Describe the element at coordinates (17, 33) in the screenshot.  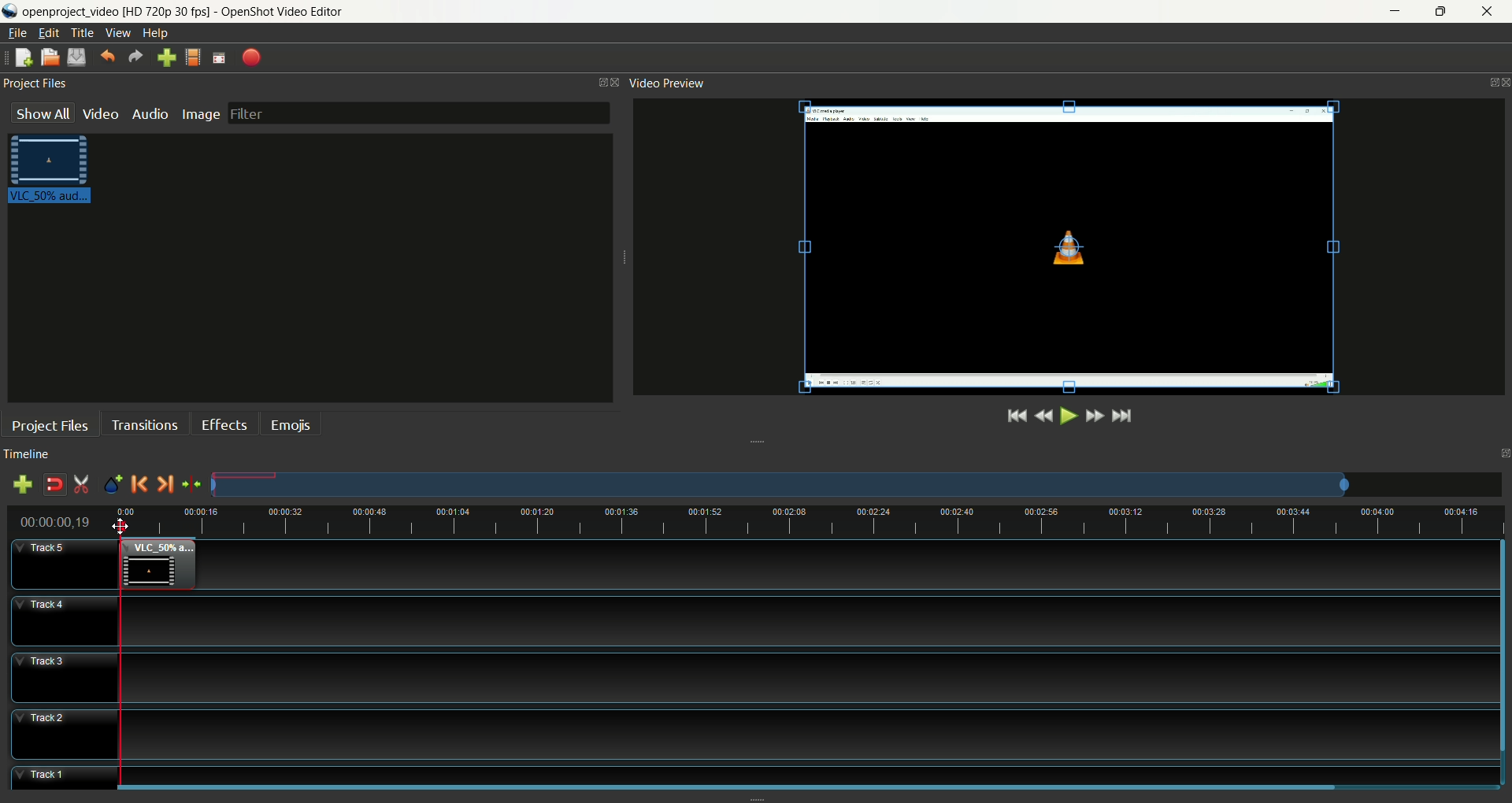
I see `file` at that location.